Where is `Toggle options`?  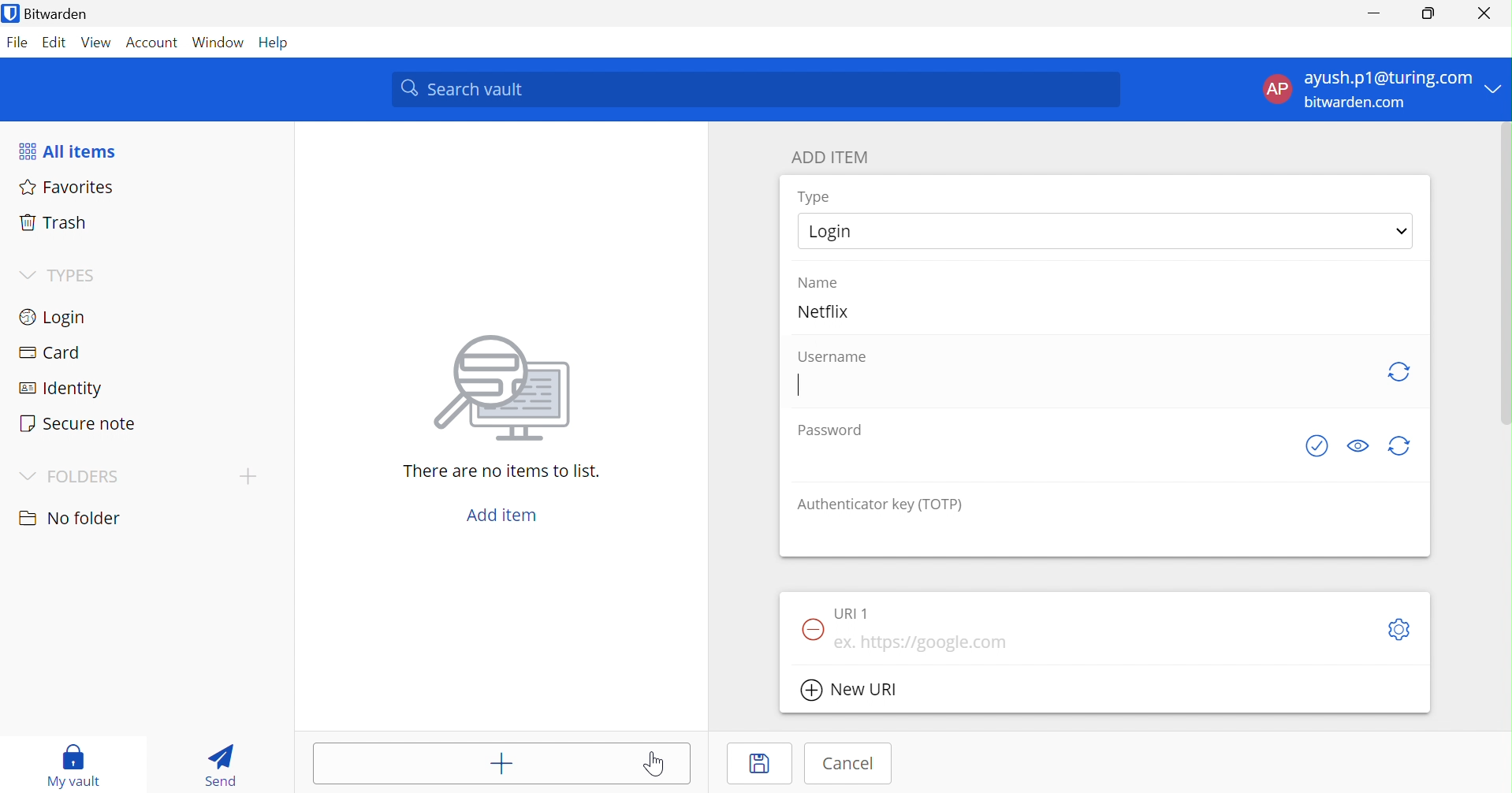
Toggle options is located at coordinates (1401, 629).